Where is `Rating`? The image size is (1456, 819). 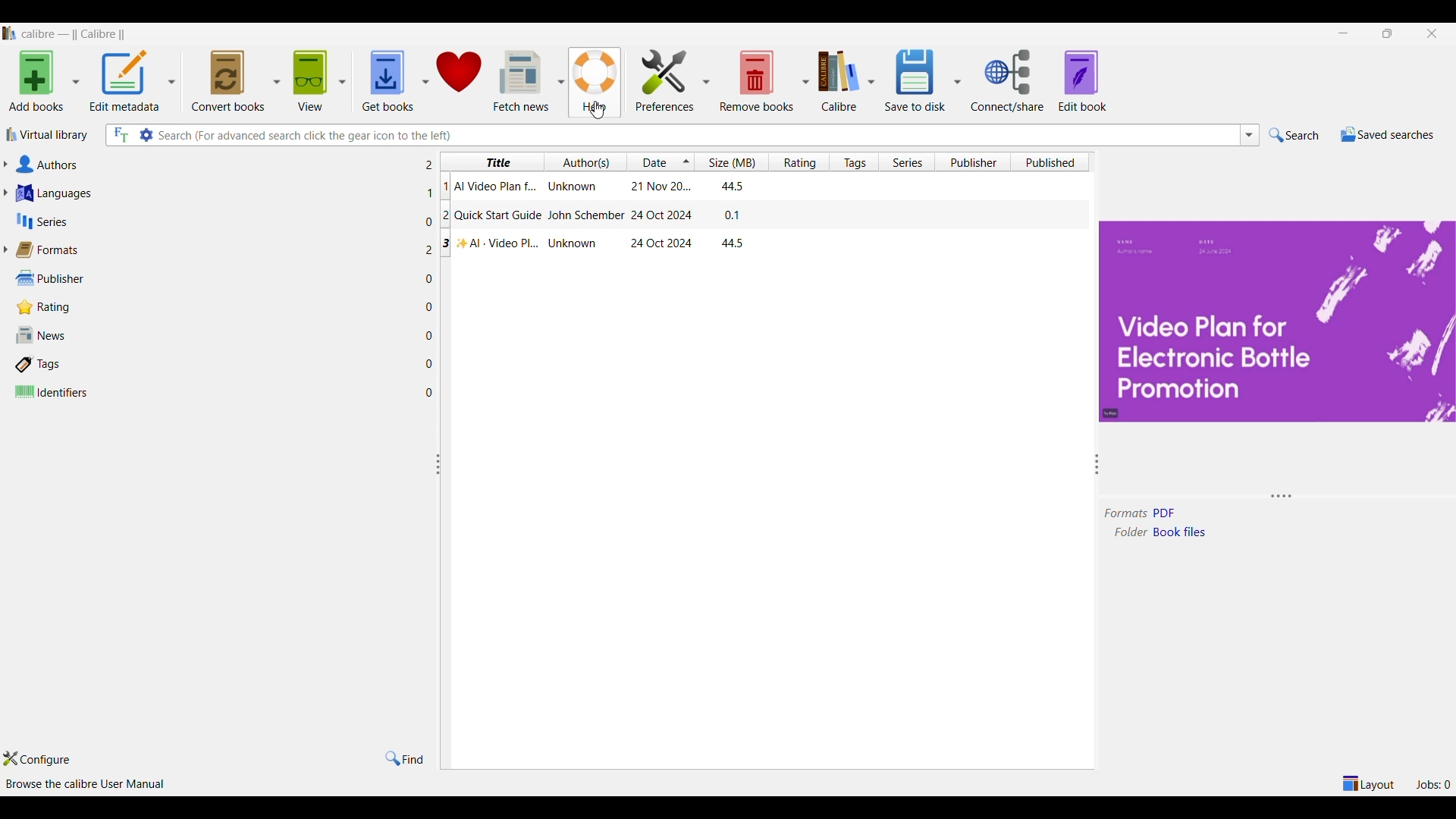 Rating is located at coordinates (207, 307).